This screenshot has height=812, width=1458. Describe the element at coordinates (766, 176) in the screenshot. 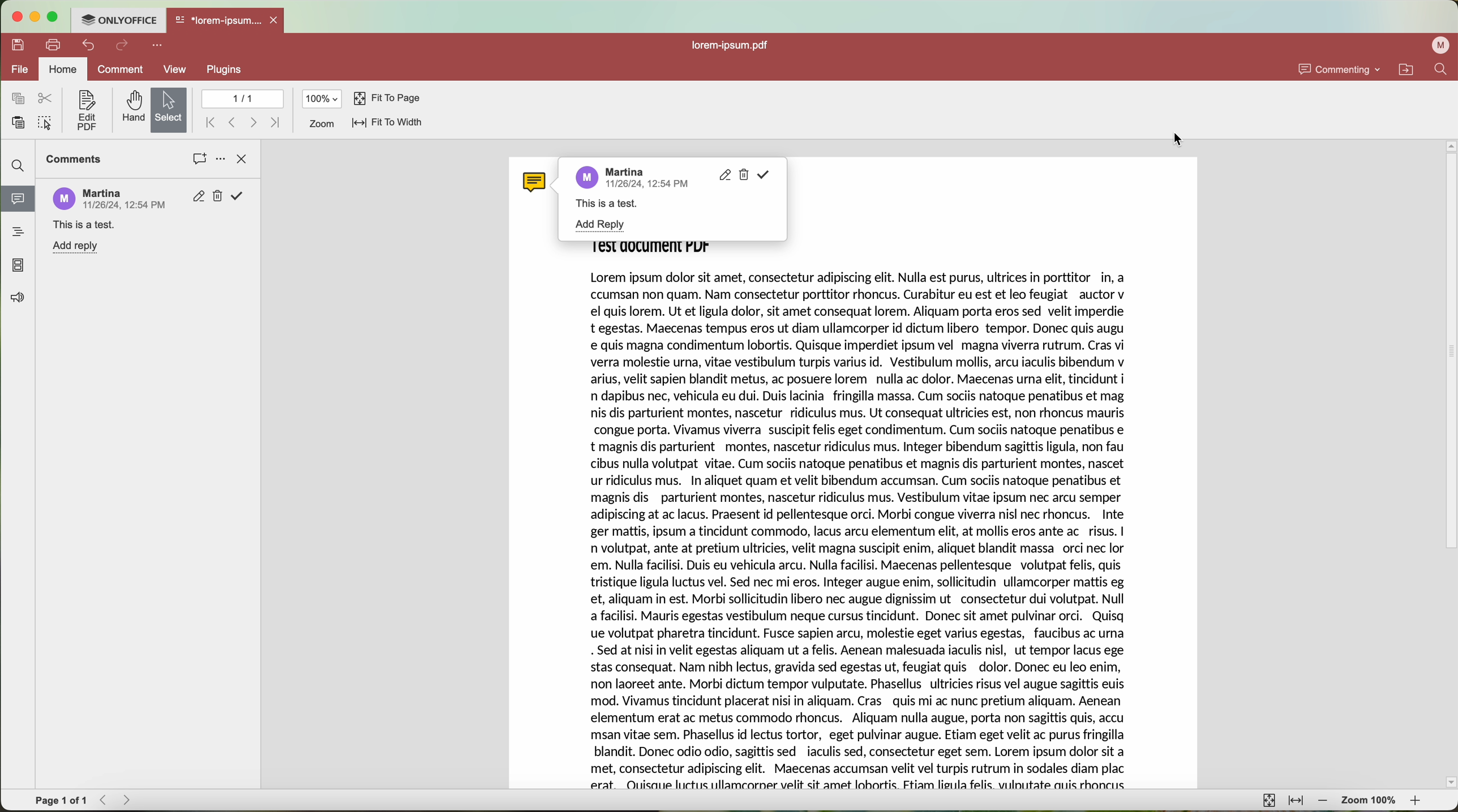

I see `resolve` at that location.